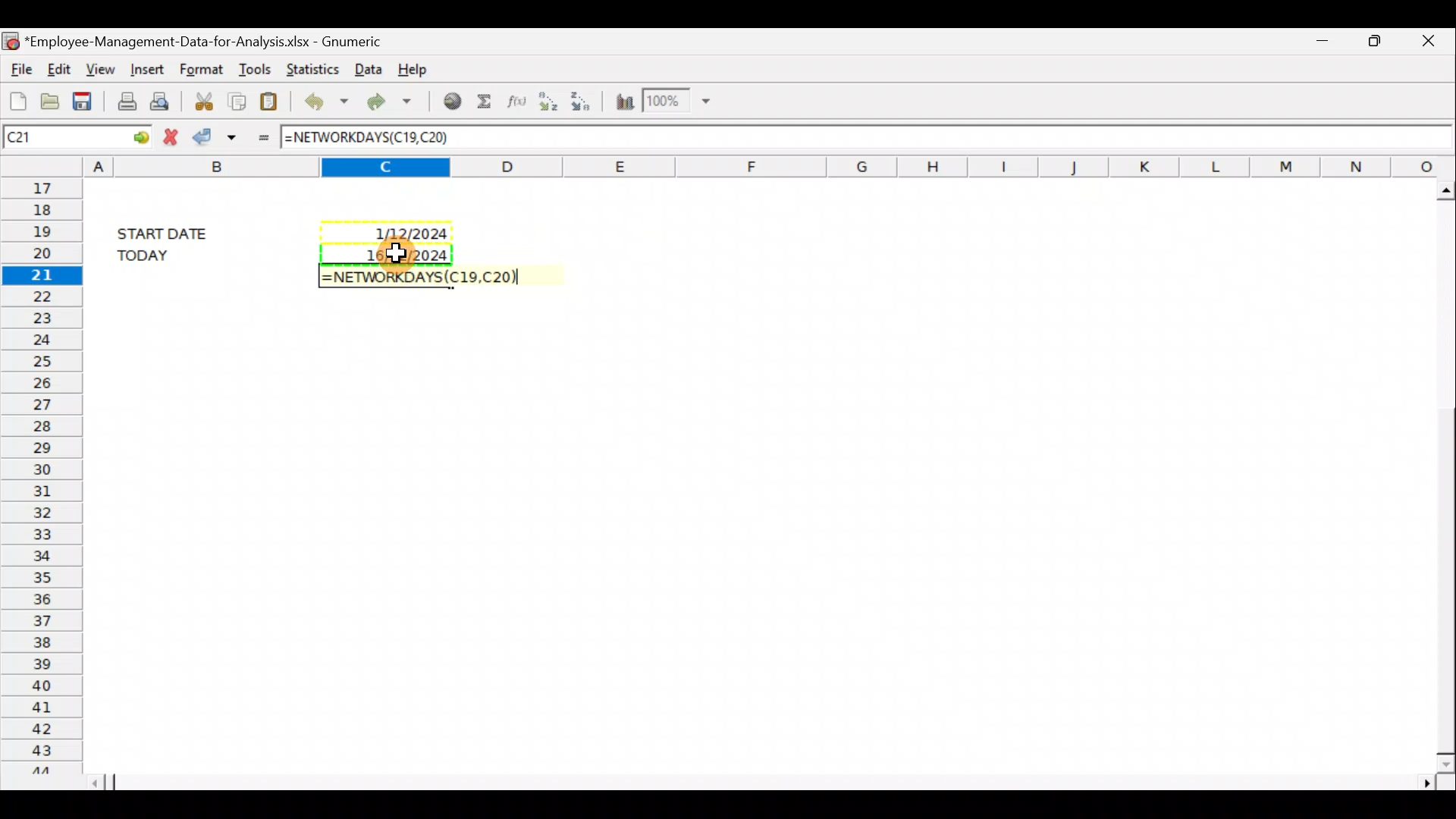 Image resolution: width=1456 pixels, height=819 pixels. Describe the element at coordinates (165, 100) in the screenshot. I see `Print preview` at that location.